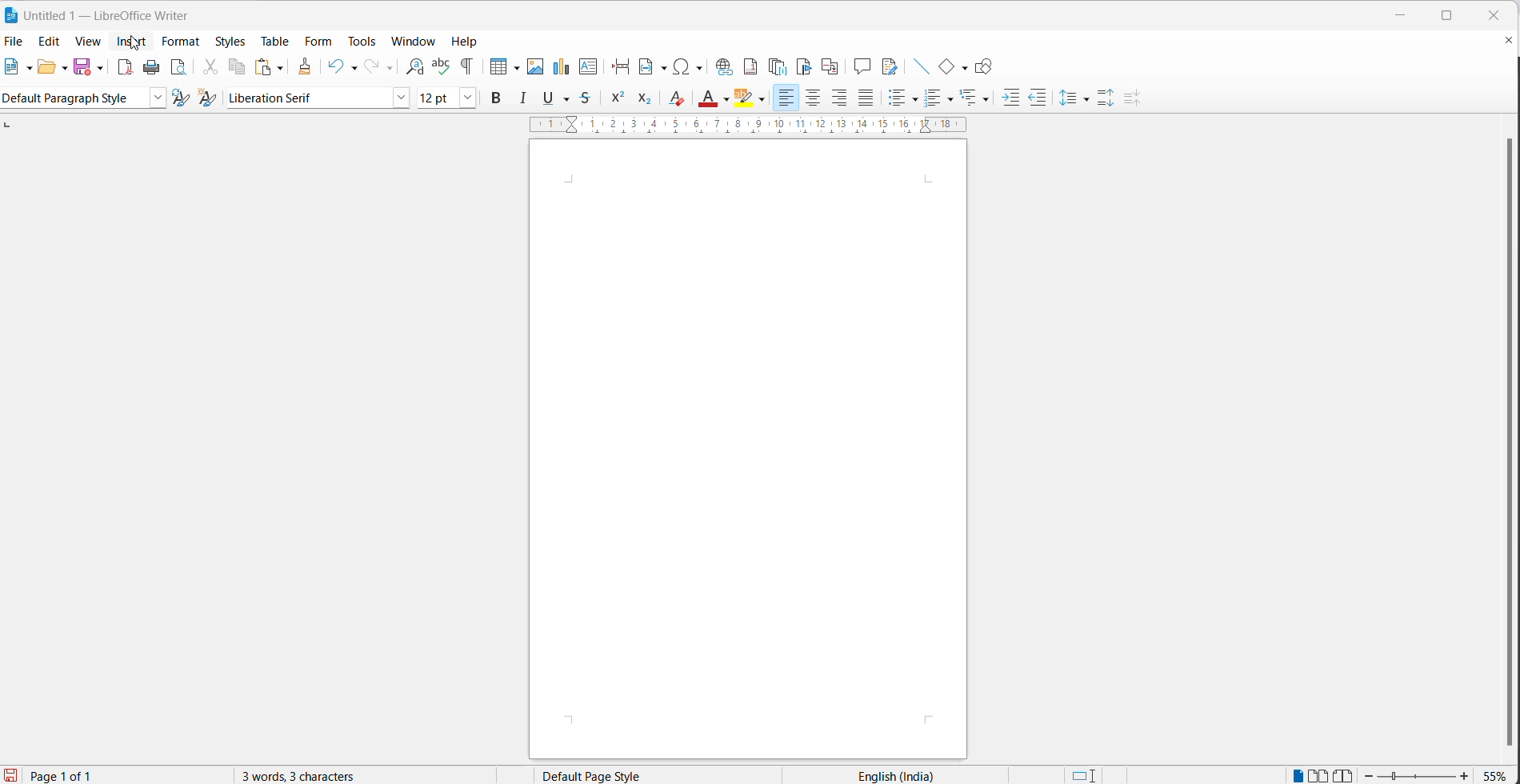  Describe the element at coordinates (645, 98) in the screenshot. I see `subscript` at that location.